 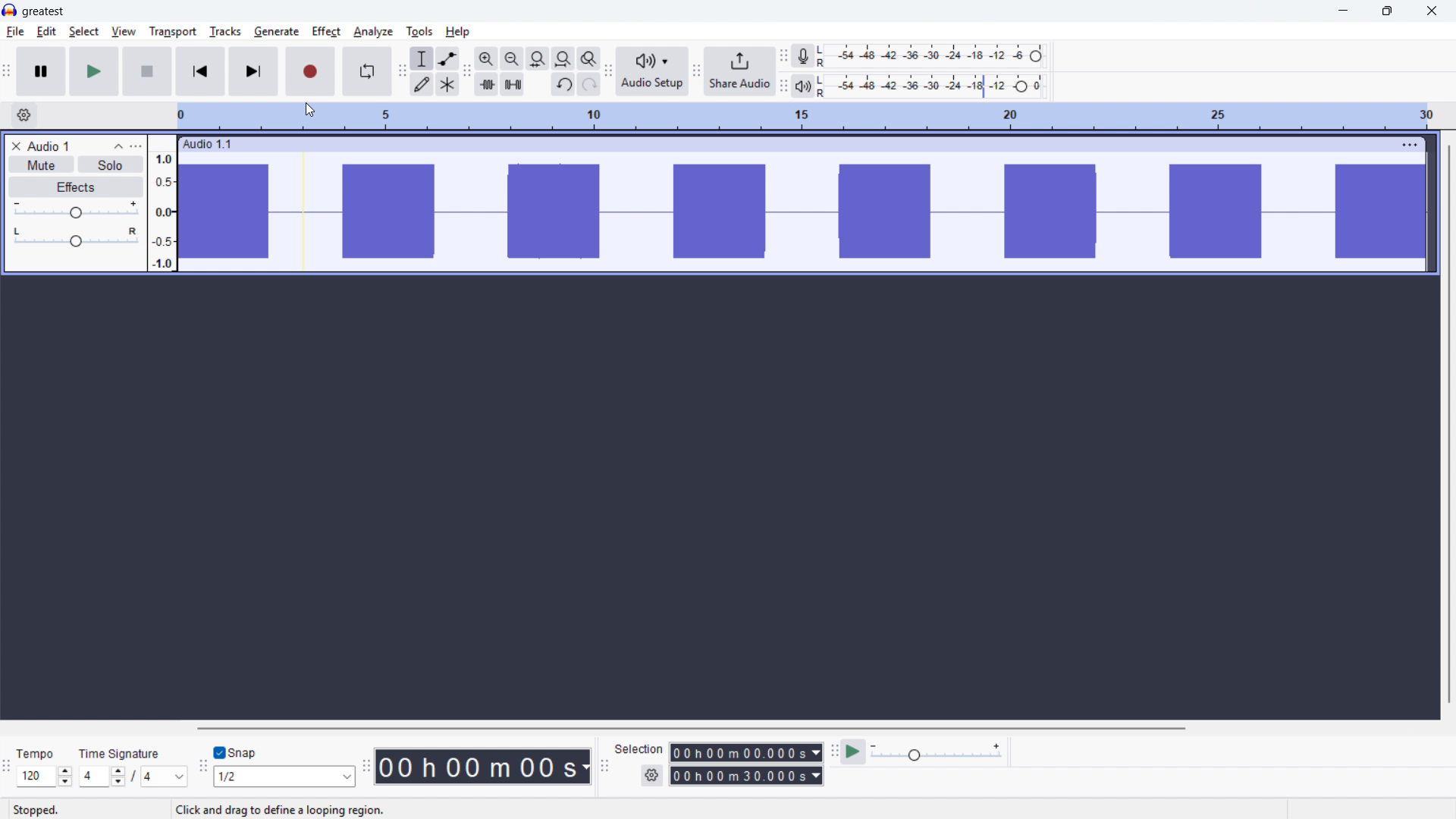 What do you see at coordinates (147, 71) in the screenshot?
I see `stop` at bounding box center [147, 71].